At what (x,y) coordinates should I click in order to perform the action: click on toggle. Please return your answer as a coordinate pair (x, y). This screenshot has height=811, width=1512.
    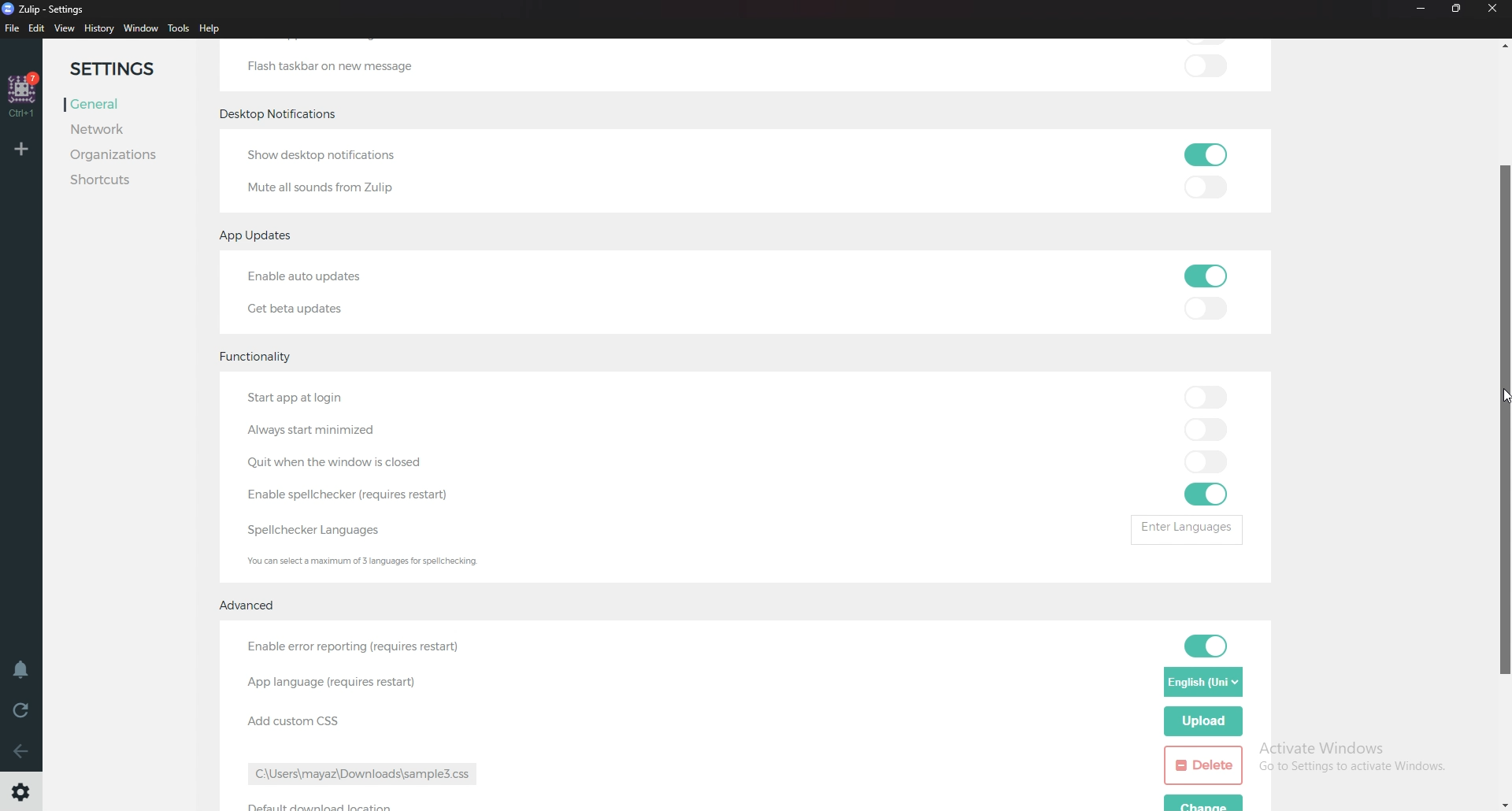
    Looking at the image, I should click on (1203, 276).